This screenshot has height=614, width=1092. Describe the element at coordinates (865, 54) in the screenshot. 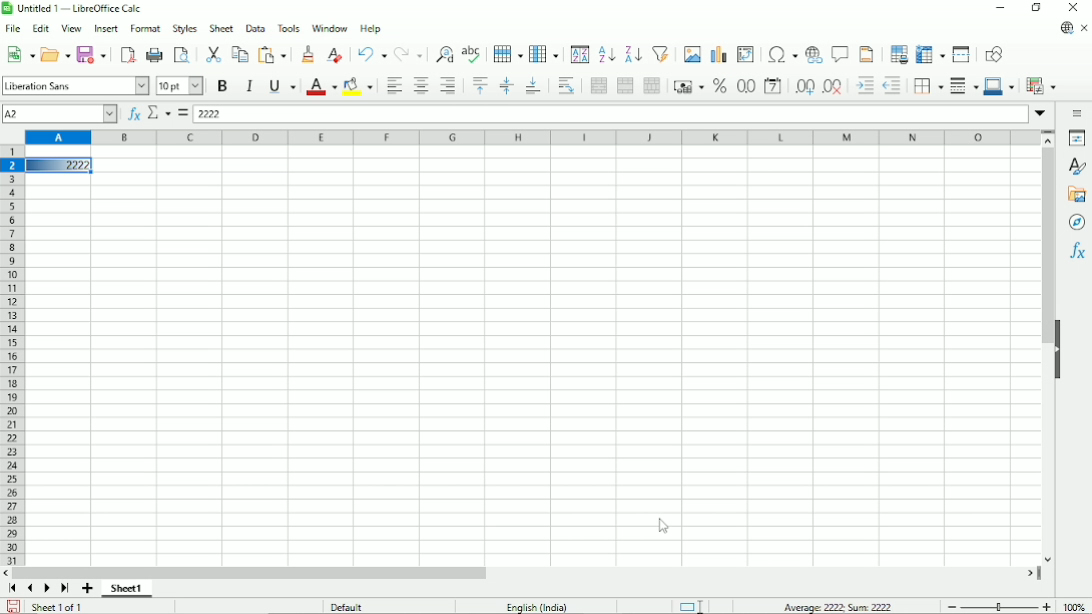

I see `Headers and footers` at that location.